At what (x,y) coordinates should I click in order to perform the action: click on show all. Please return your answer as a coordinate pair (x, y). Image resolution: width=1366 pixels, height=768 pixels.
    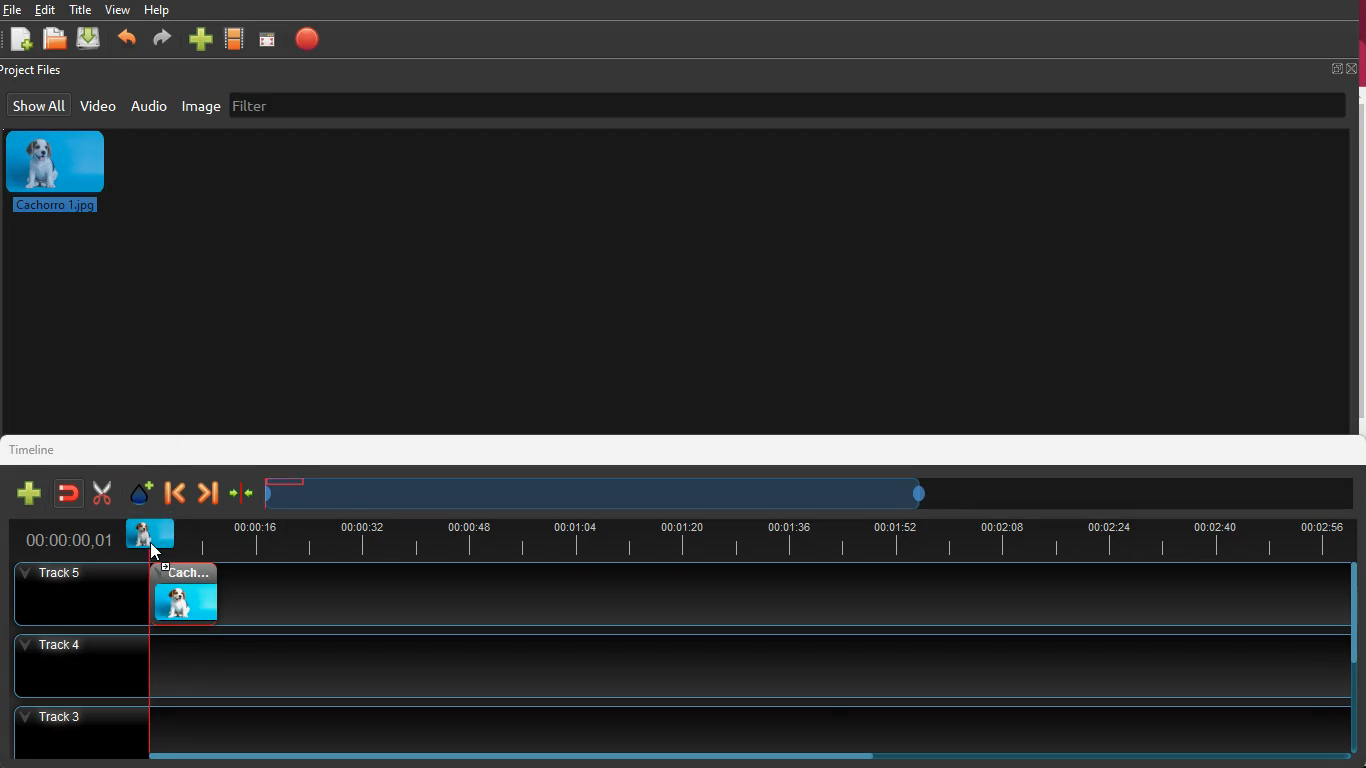
    Looking at the image, I should click on (40, 105).